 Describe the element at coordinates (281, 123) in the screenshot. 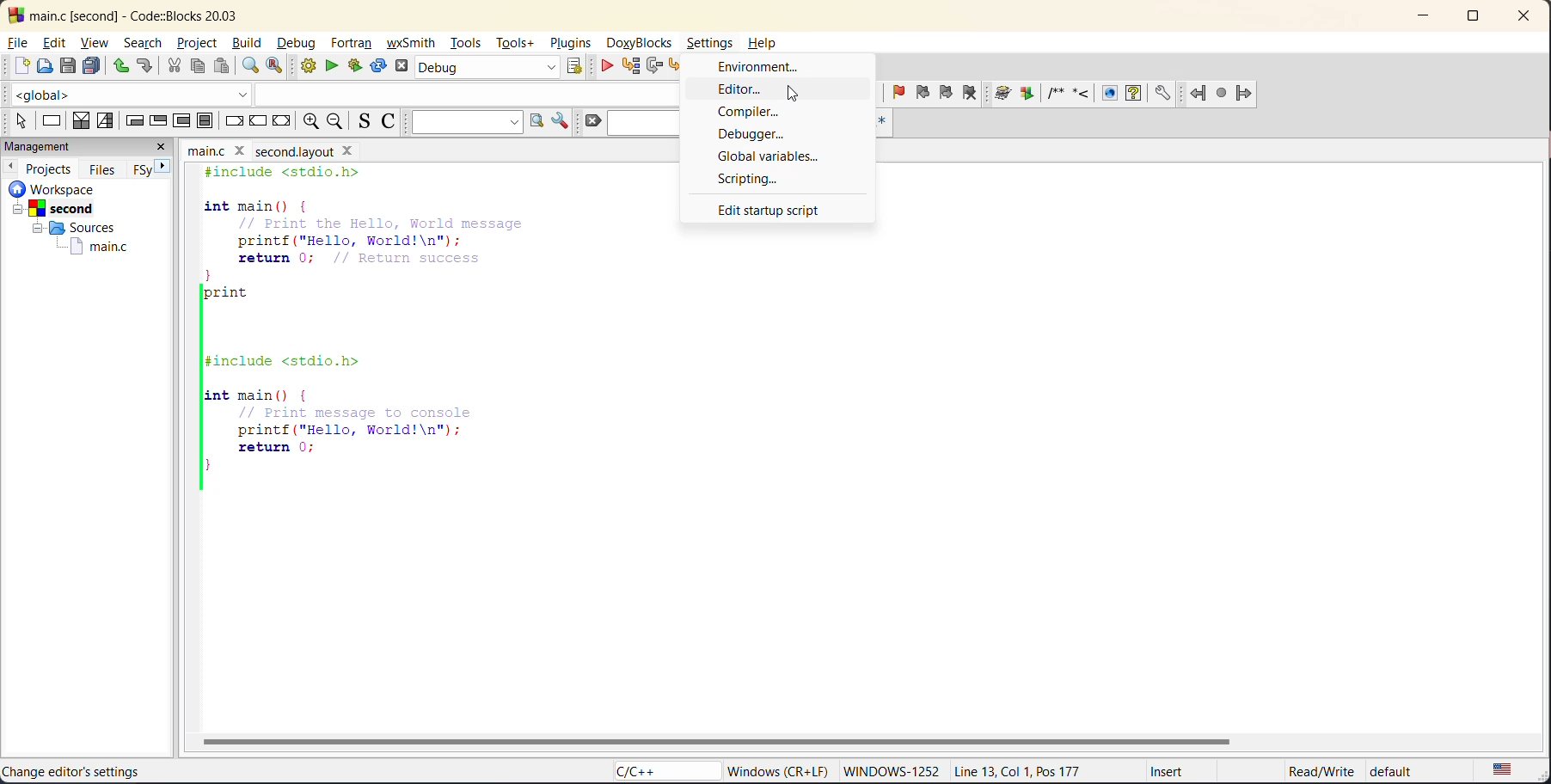

I see `return instruction` at that location.